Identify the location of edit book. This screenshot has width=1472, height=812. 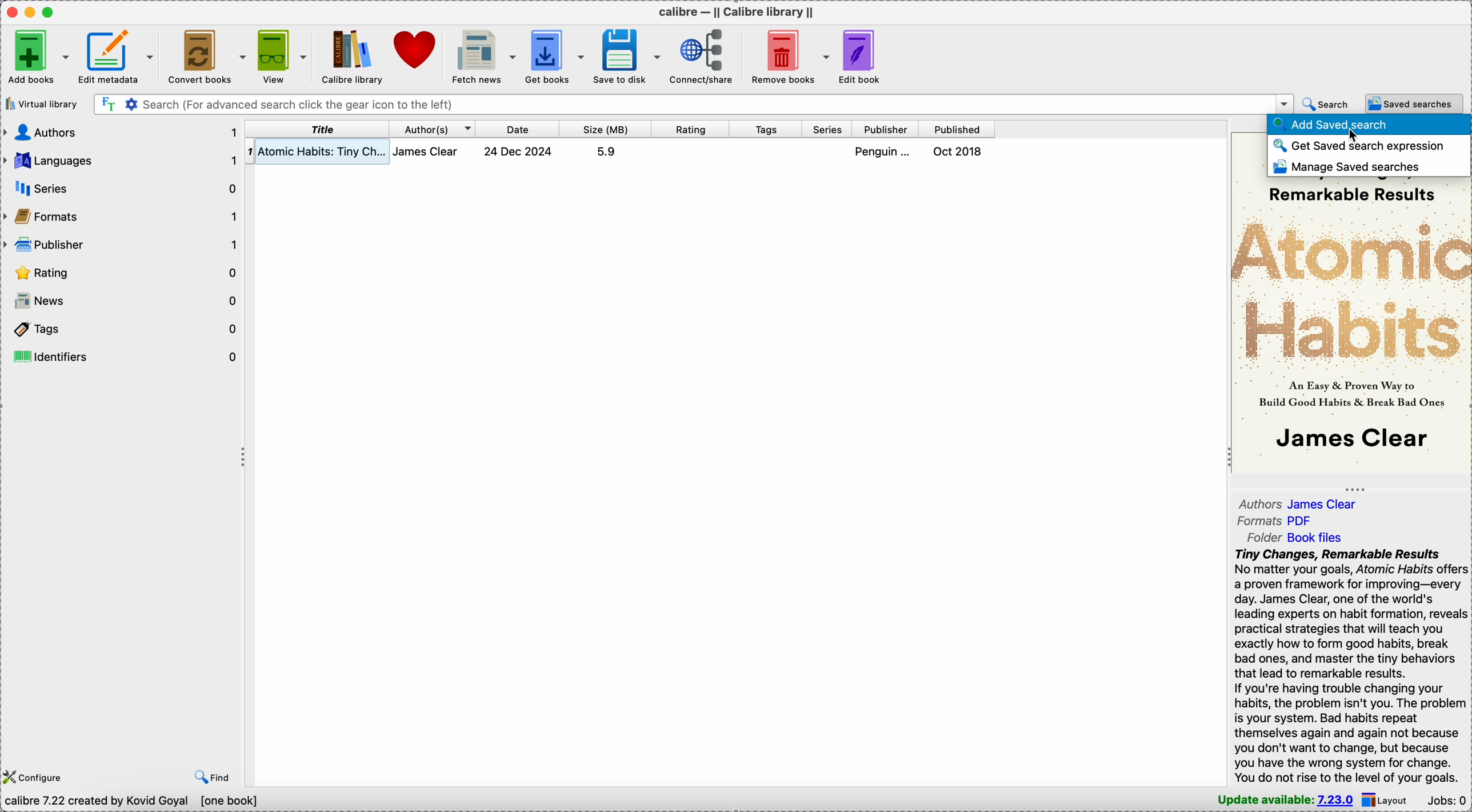
(867, 56).